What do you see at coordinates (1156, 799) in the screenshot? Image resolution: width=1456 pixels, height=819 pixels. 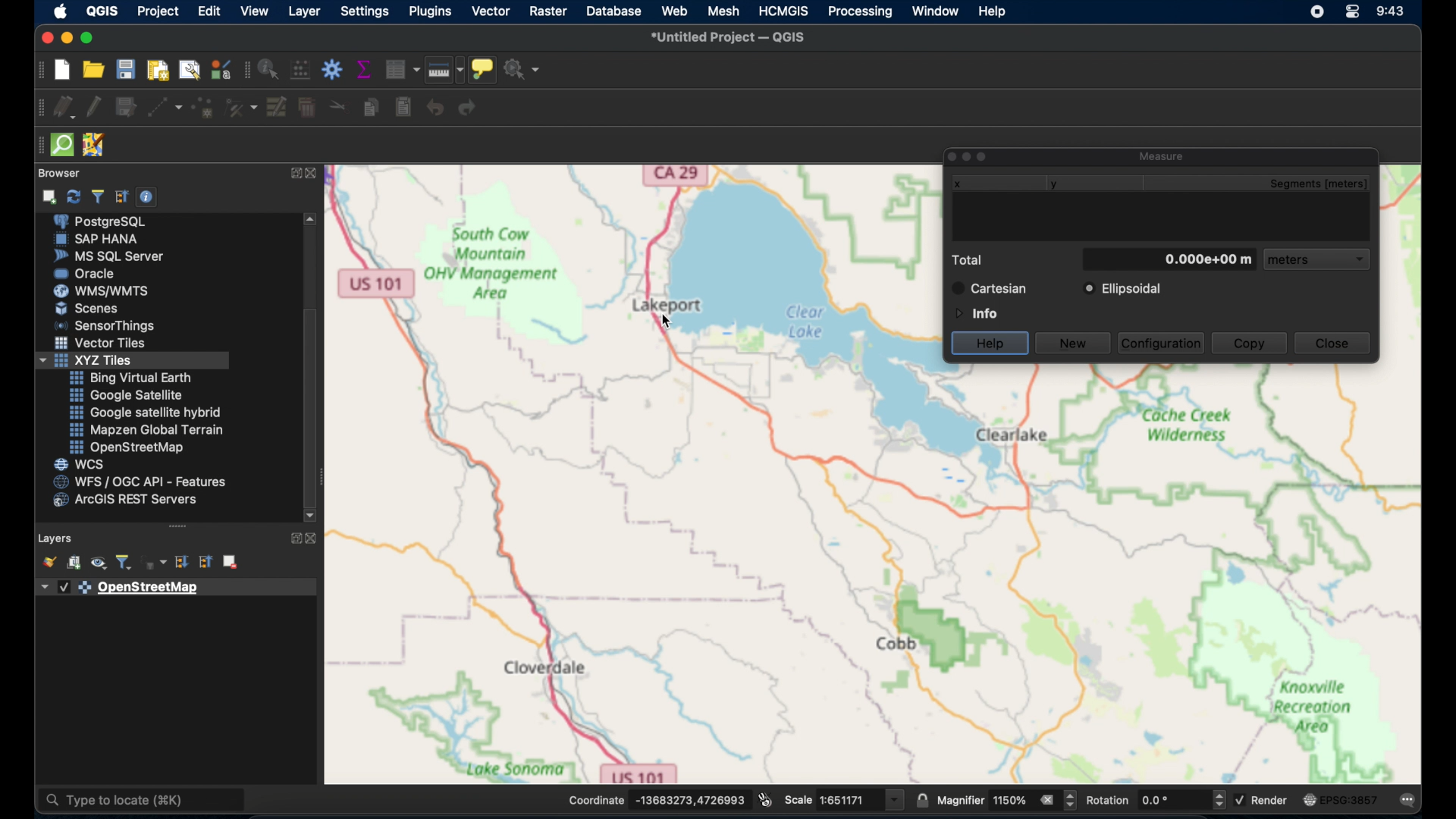 I see `rotation` at bounding box center [1156, 799].